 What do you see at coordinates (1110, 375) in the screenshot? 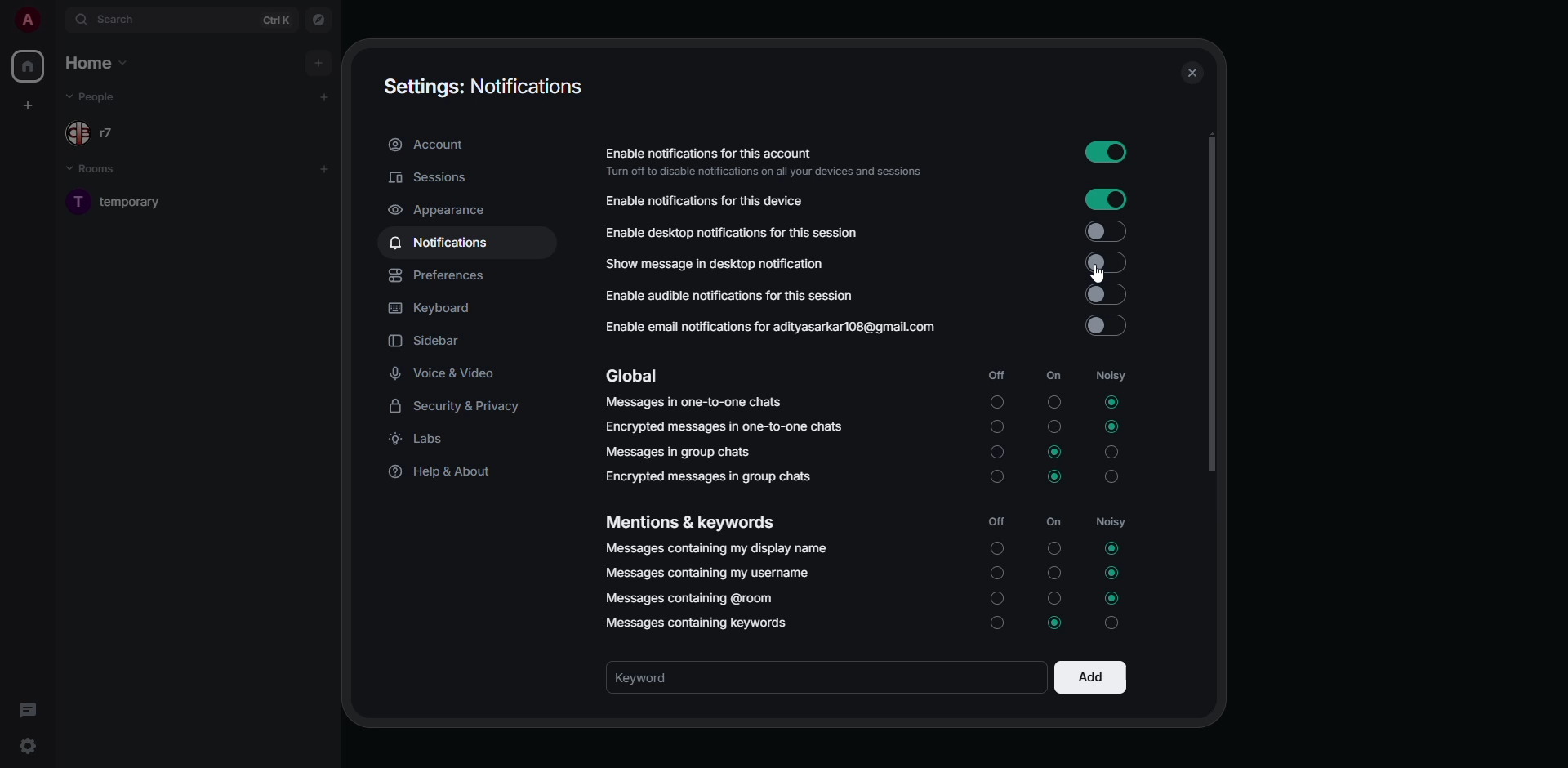
I see `noisy` at bounding box center [1110, 375].